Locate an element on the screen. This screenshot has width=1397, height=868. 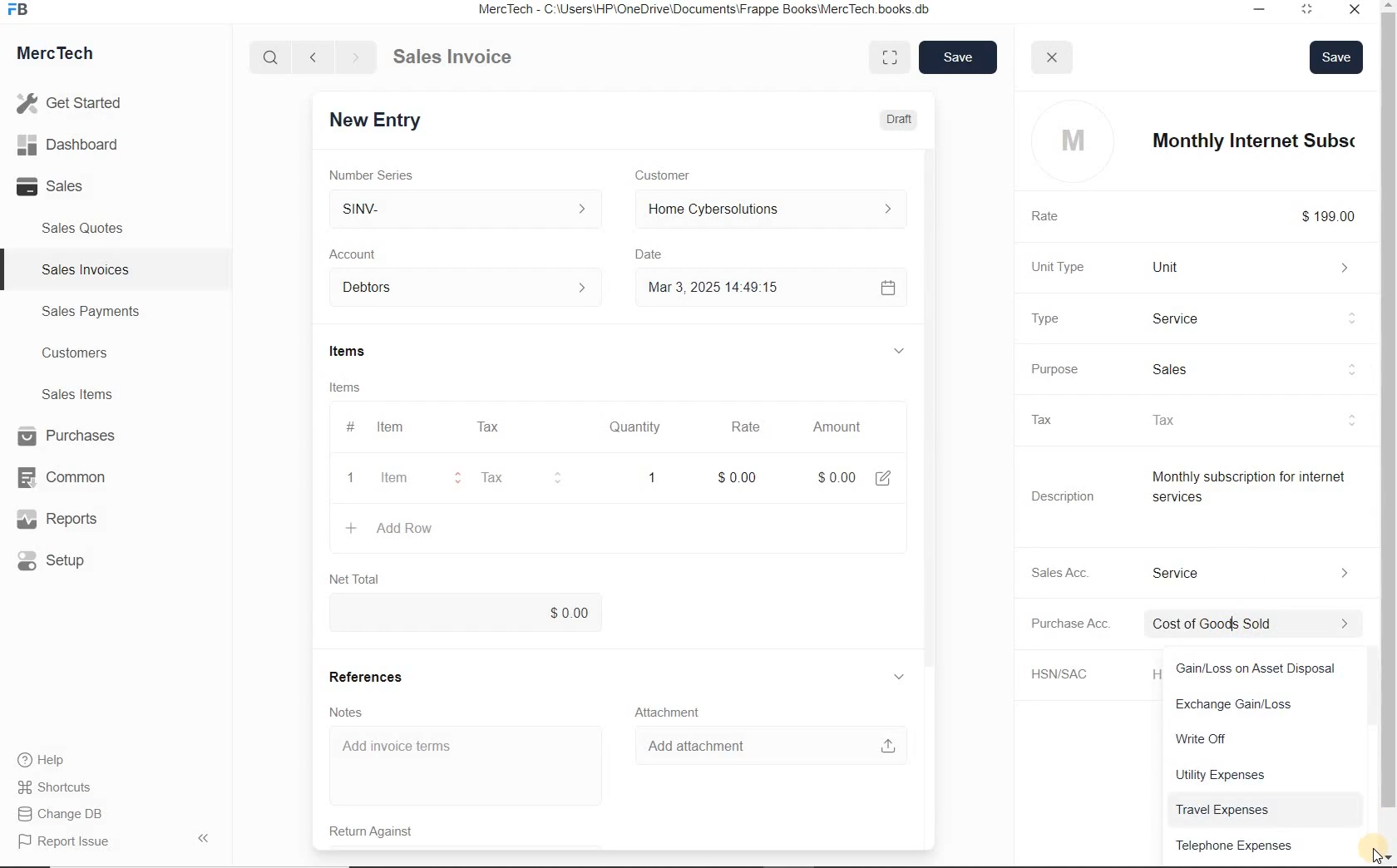
Account is located at coordinates (367, 254).